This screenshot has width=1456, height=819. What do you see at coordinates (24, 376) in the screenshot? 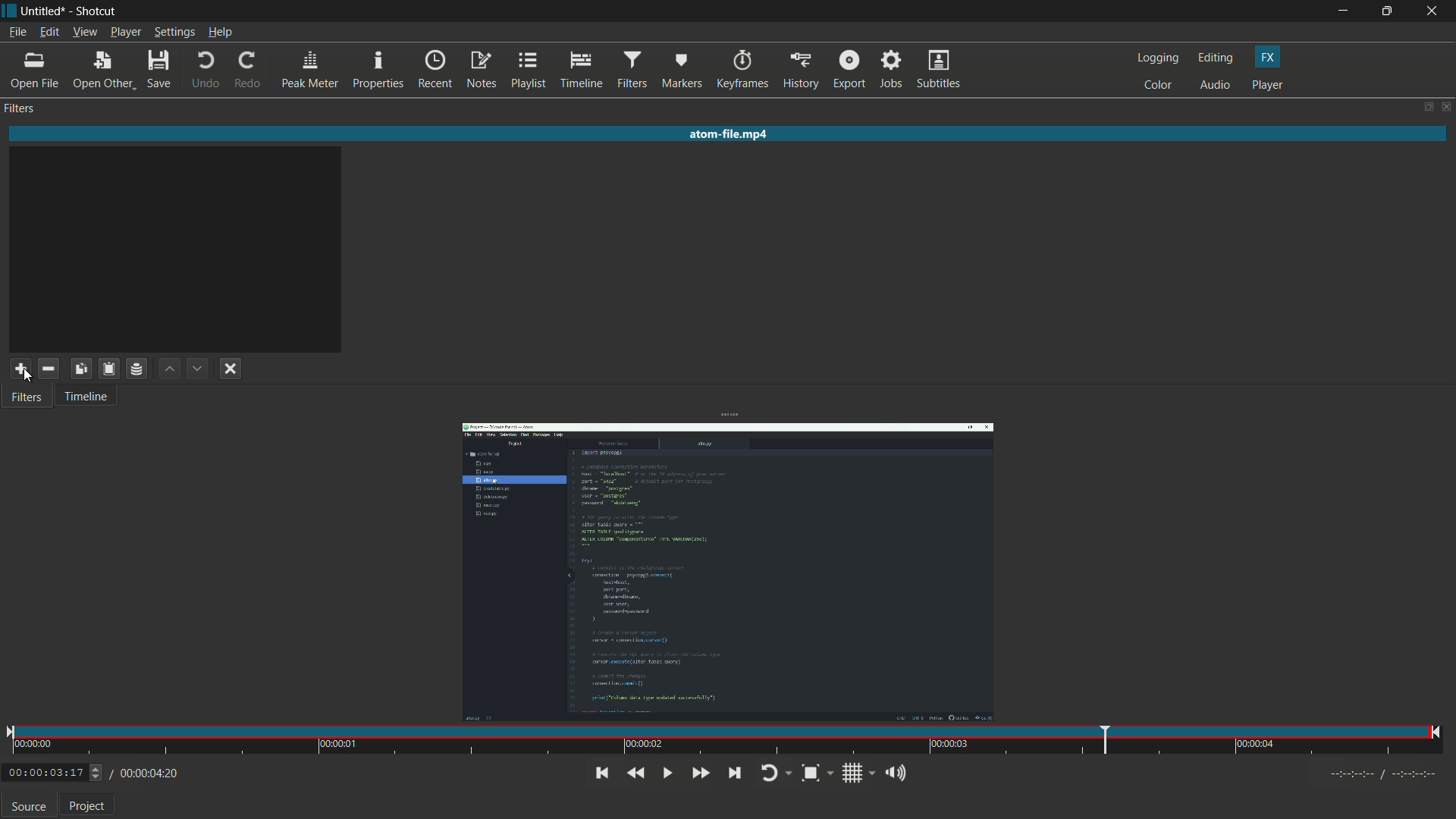
I see `cursor` at bounding box center [24, 376].